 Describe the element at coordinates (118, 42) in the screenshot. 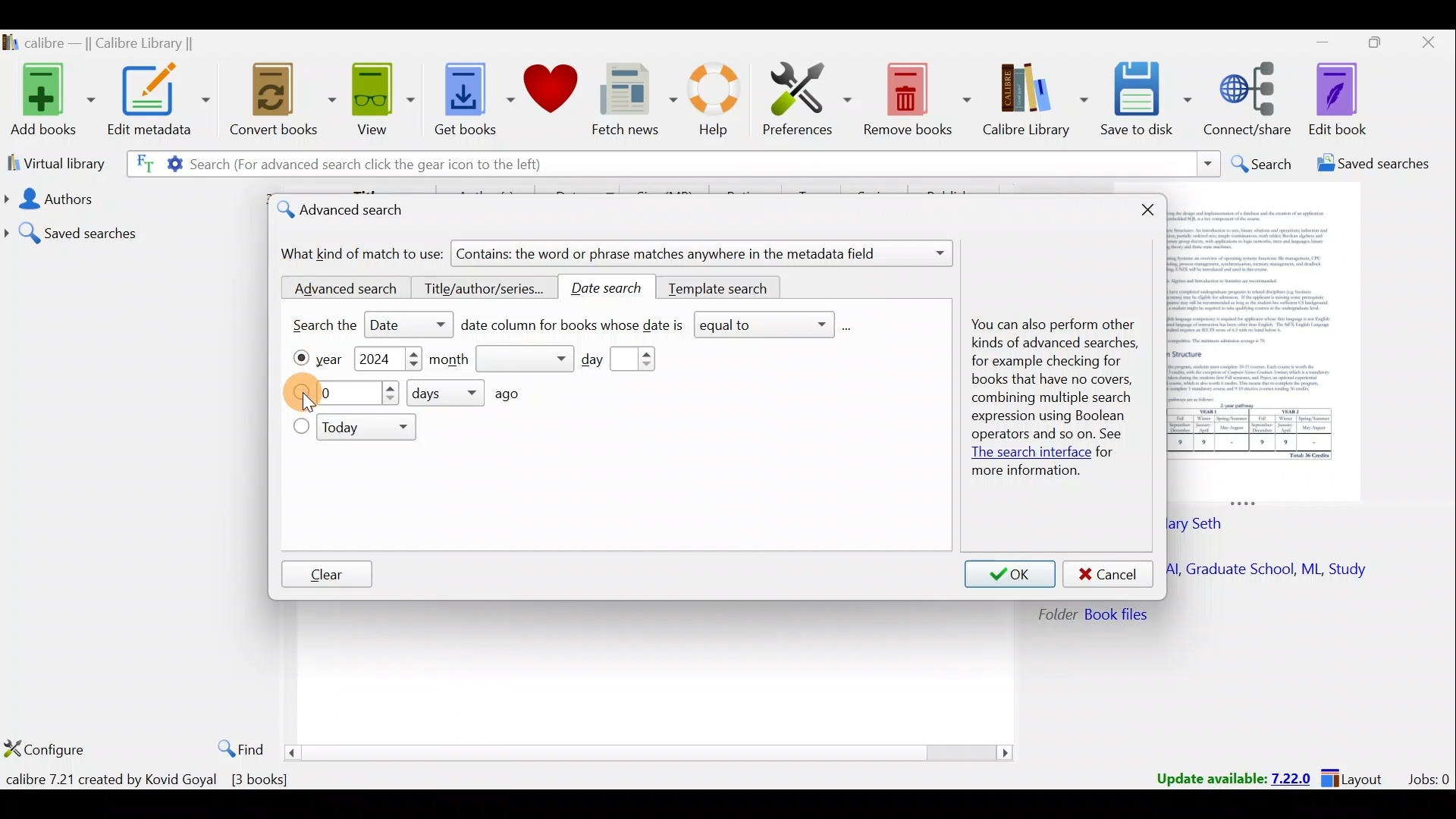

I see `calibre — || Calibre Library ||` at that location.